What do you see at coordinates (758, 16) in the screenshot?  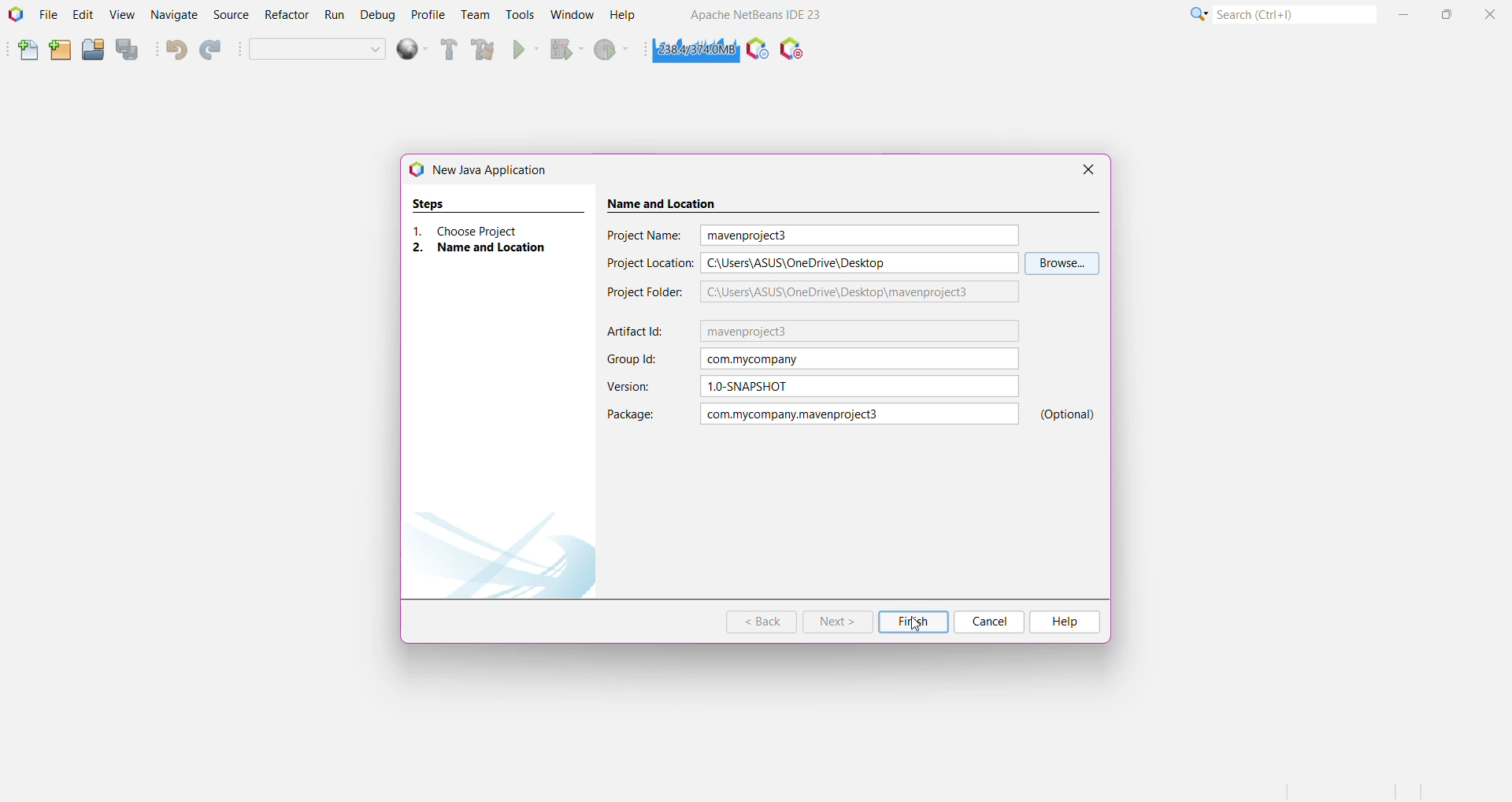 I see `Application Name and Version` at bounding box center [758, 16].